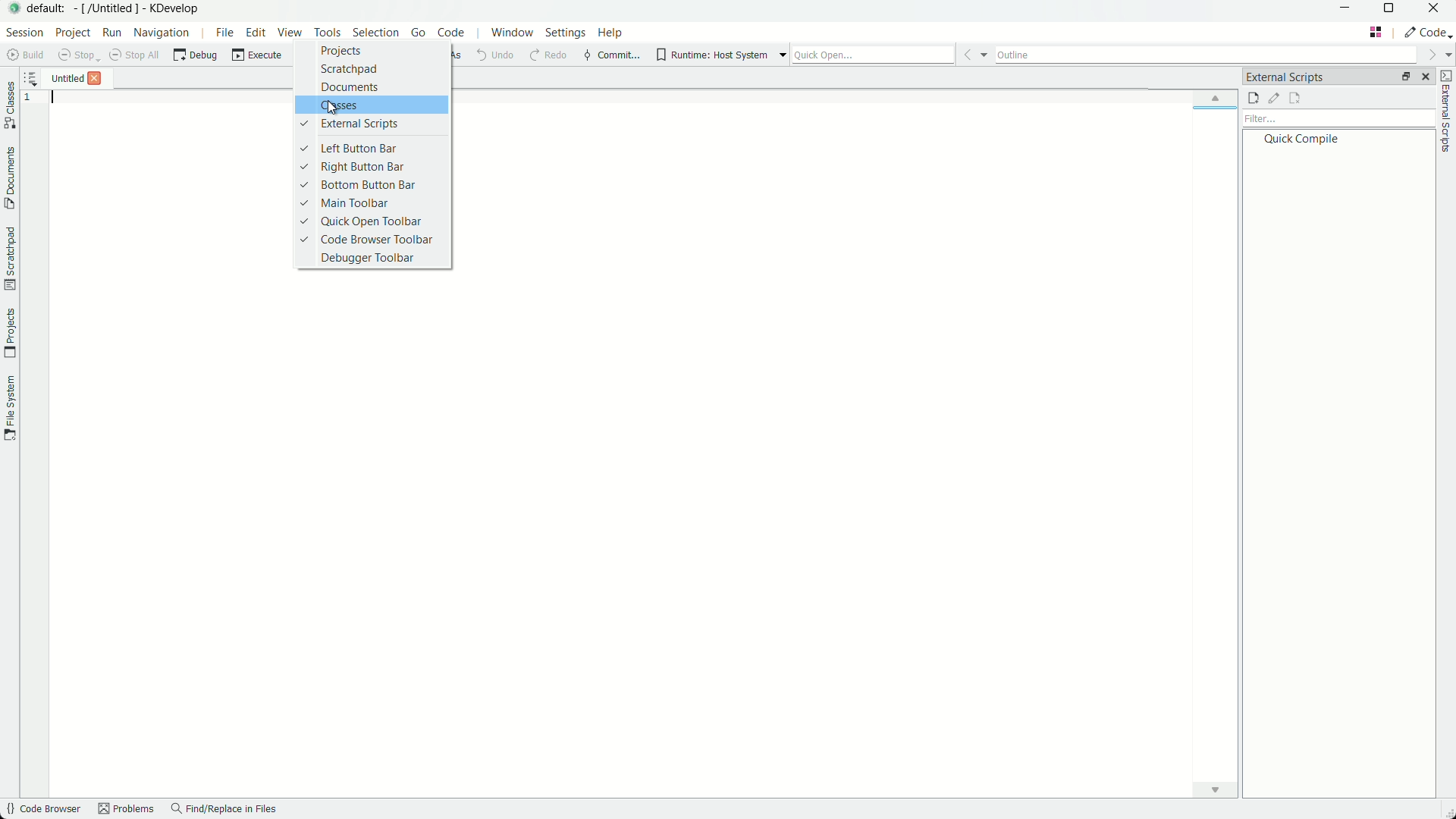  I want to click on left button bar, so click(374, 149).